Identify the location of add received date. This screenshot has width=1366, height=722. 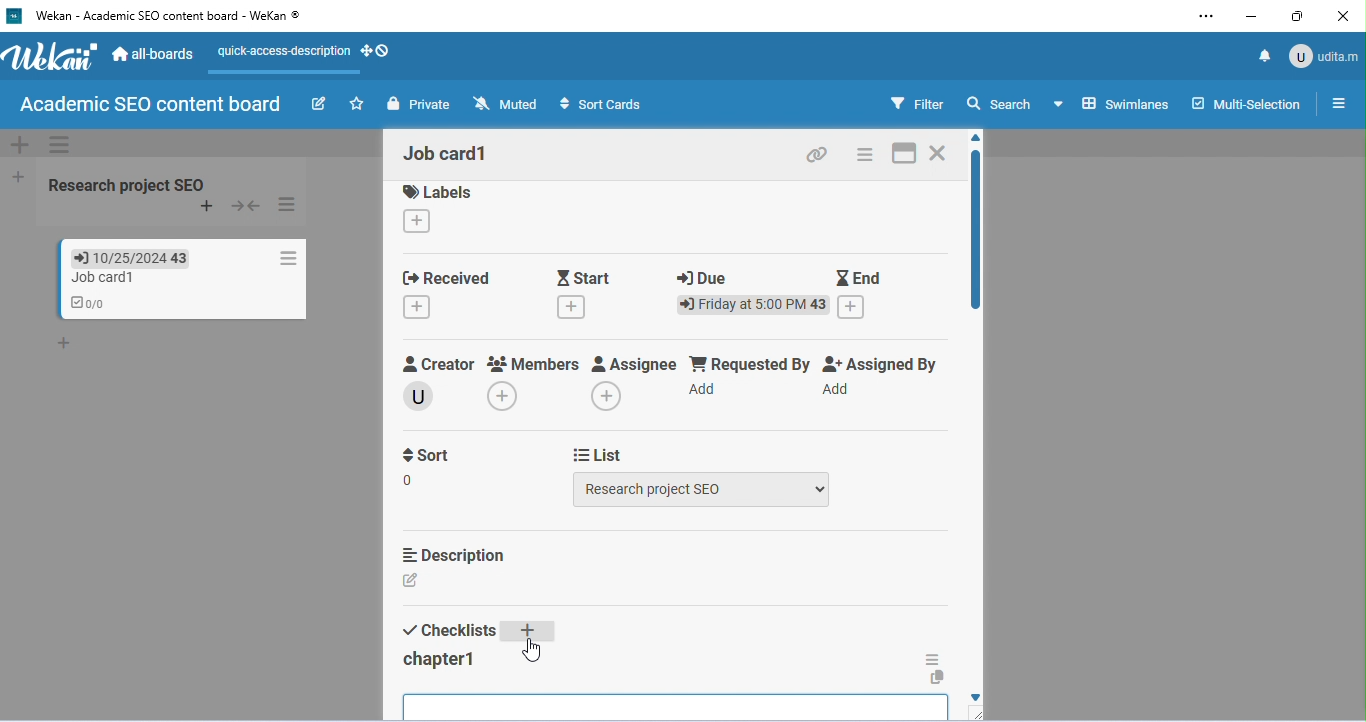
(419, 309).